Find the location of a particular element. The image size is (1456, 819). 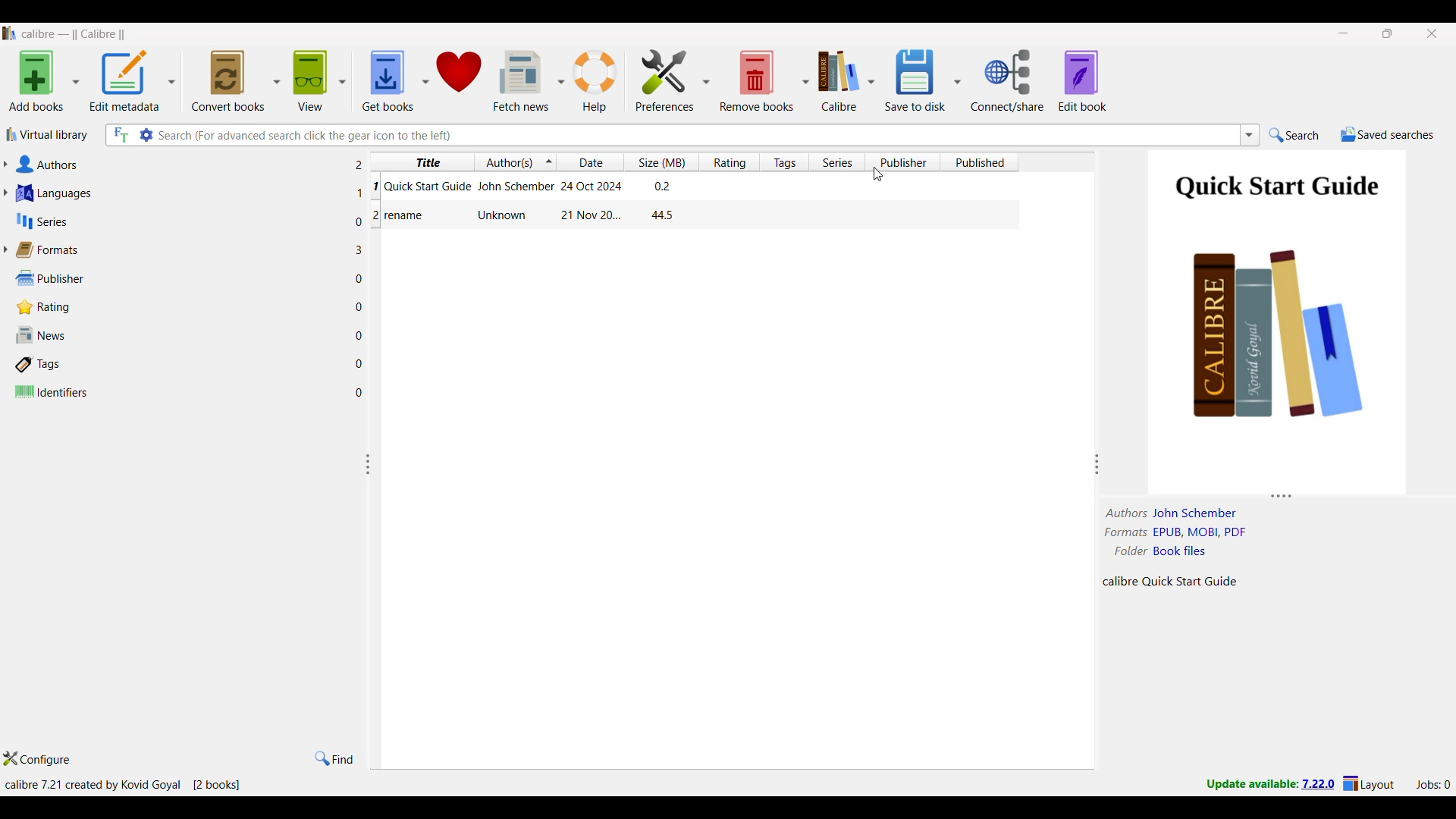

0.2 is located at coordinates (661, 186).